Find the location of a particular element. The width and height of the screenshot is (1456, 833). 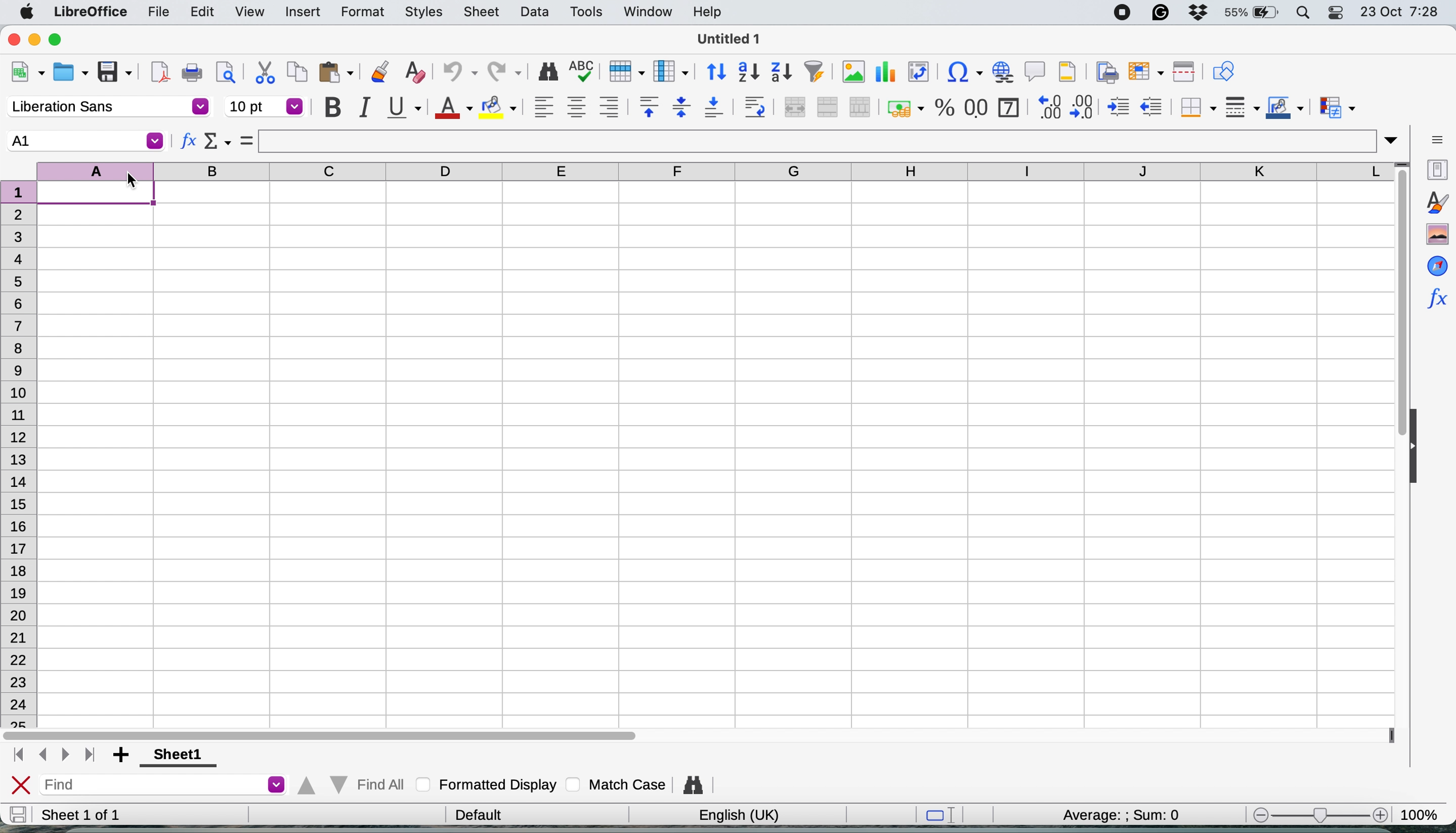

insert or edit pivot table is located at coordinates (920, 73).